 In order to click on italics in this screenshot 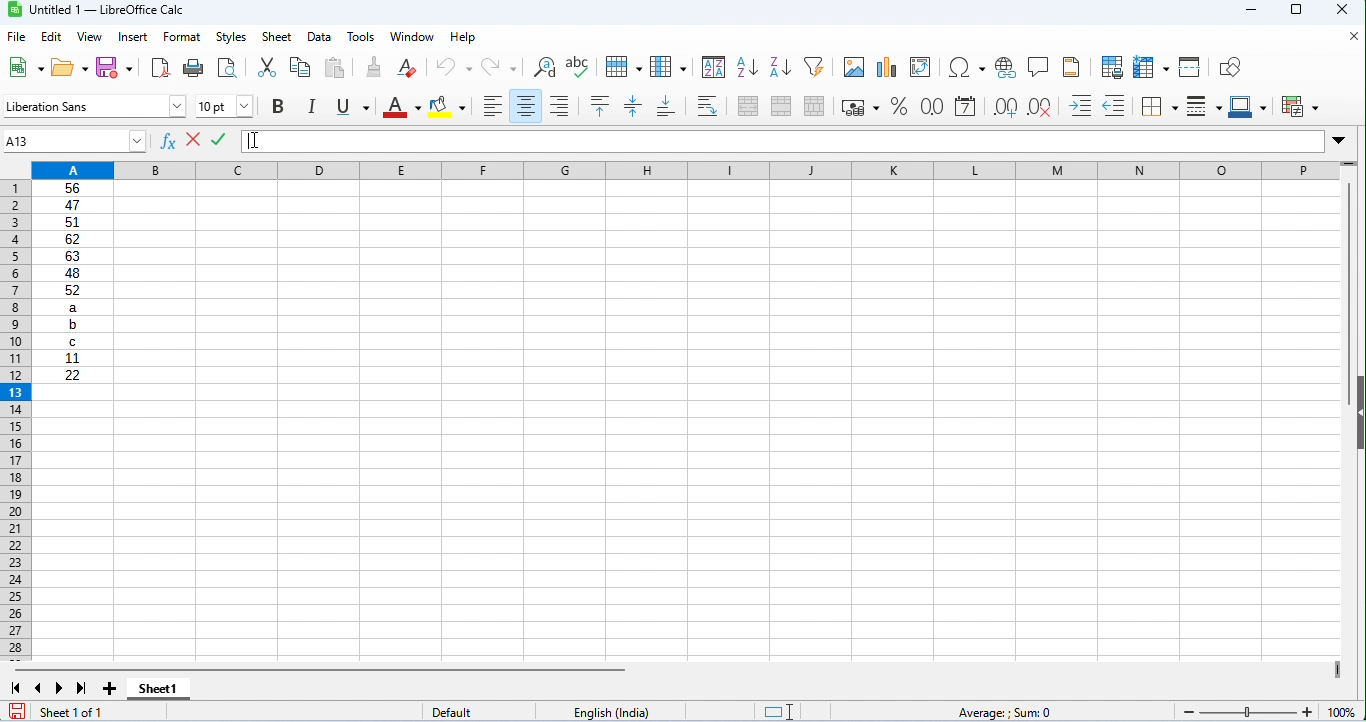, I will do `click(311, 106)`.